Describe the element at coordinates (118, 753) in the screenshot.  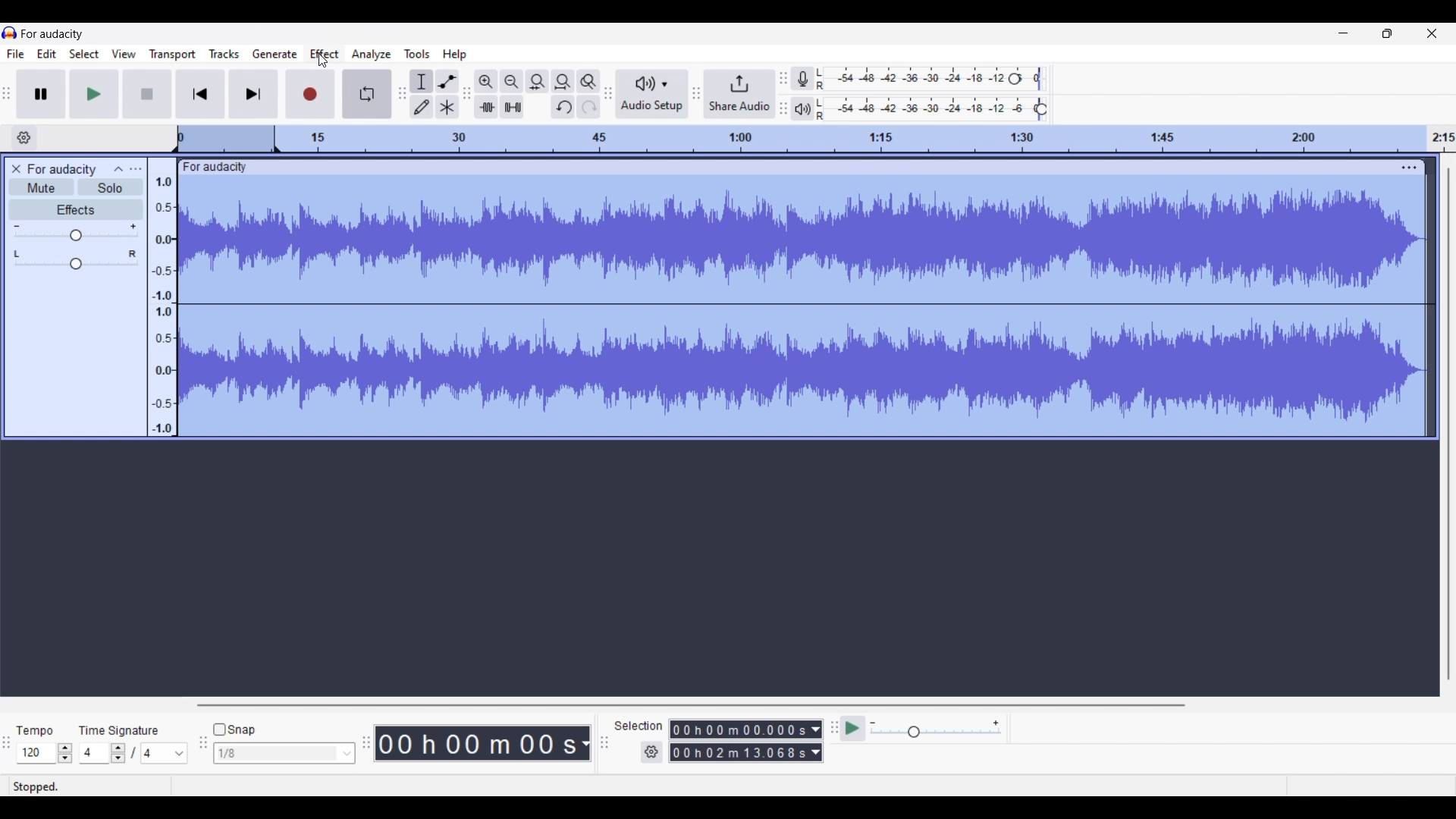
I see `Increase/Decrease time signature` at that location.